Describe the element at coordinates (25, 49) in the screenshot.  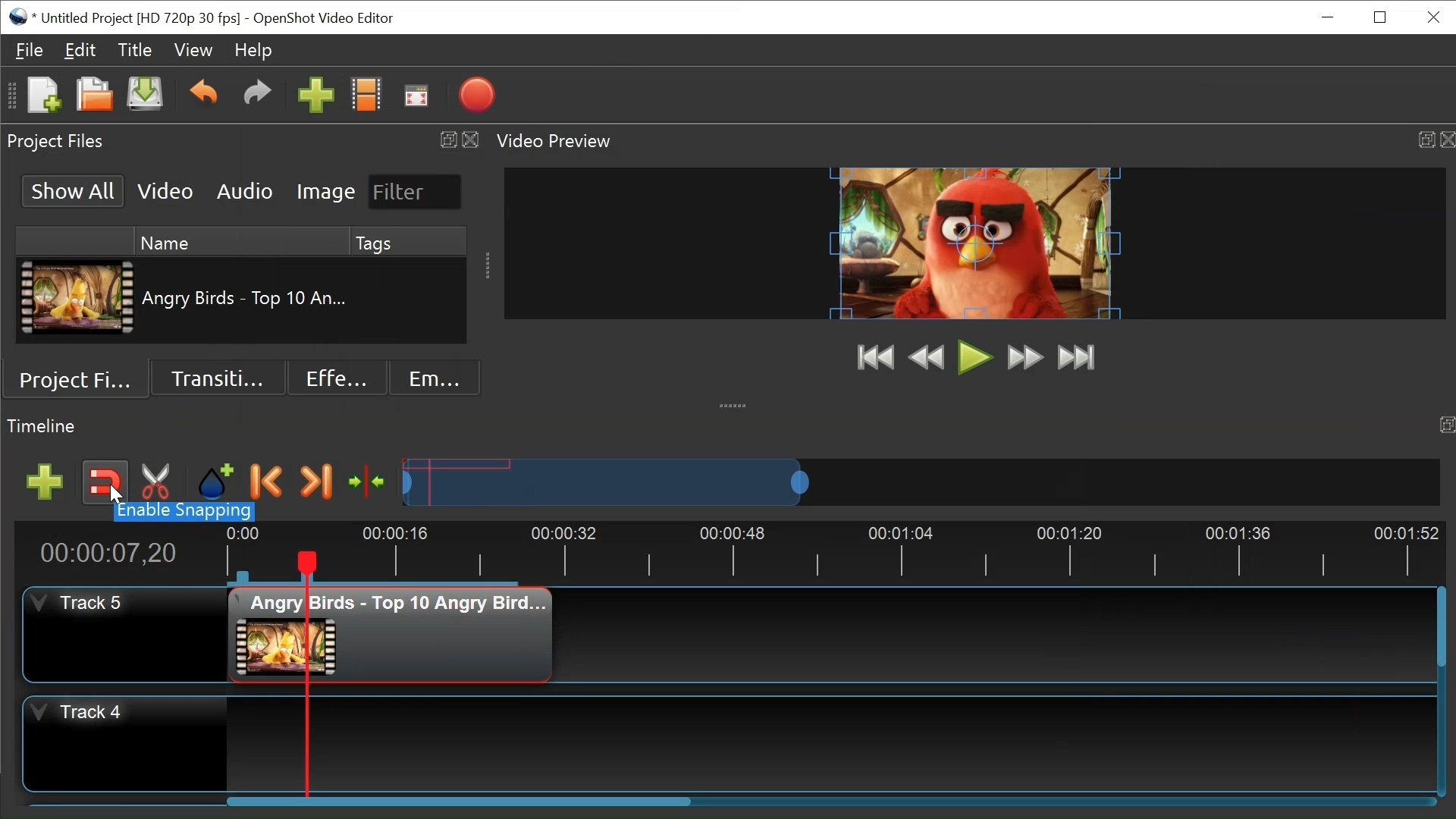
I see `File` at that location.